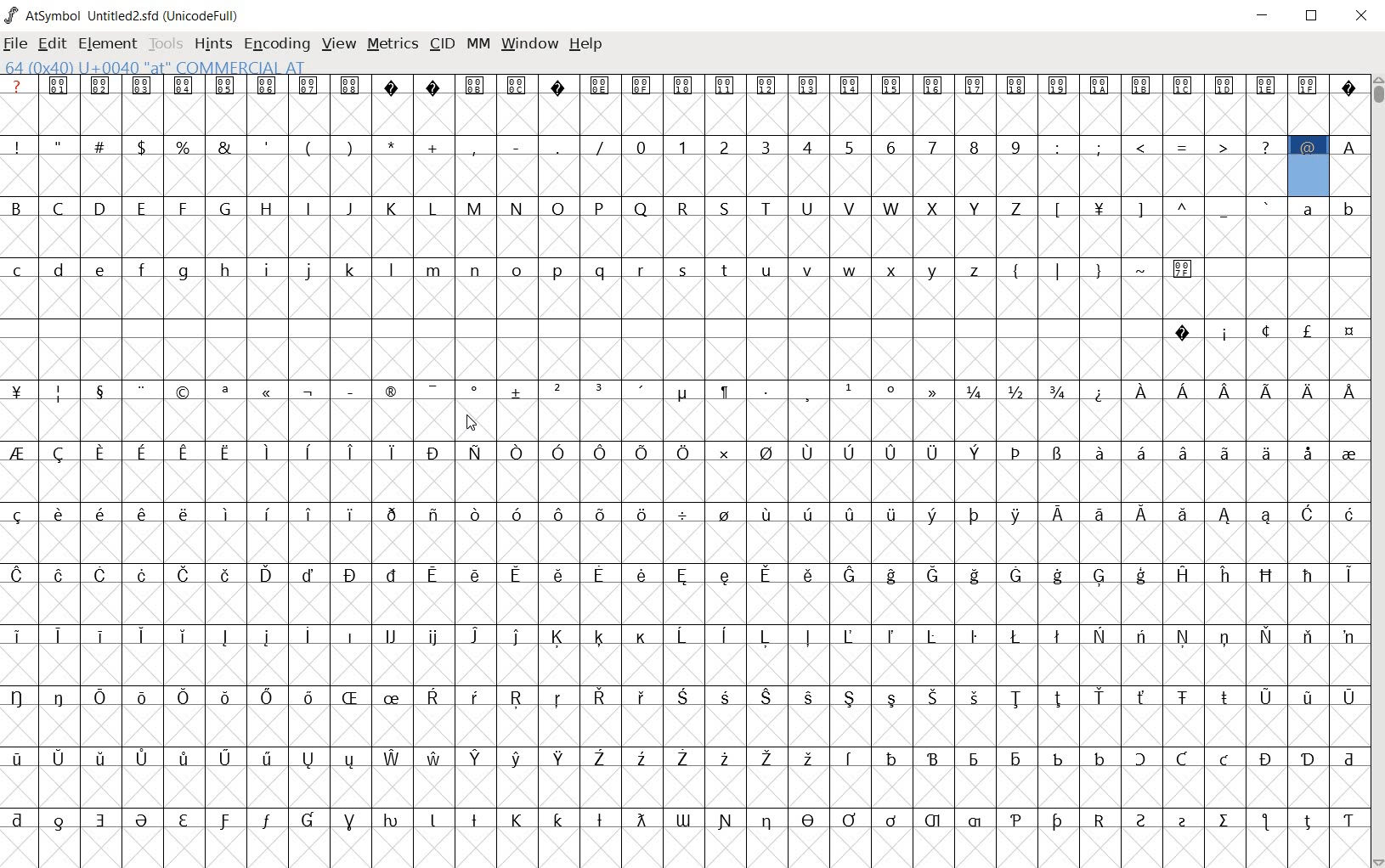 The image size is (1385, 868). What do you see at coordinates (682, 479) in the screenshot?
I see `empty glyph slots` at bounding box center [682, 479].